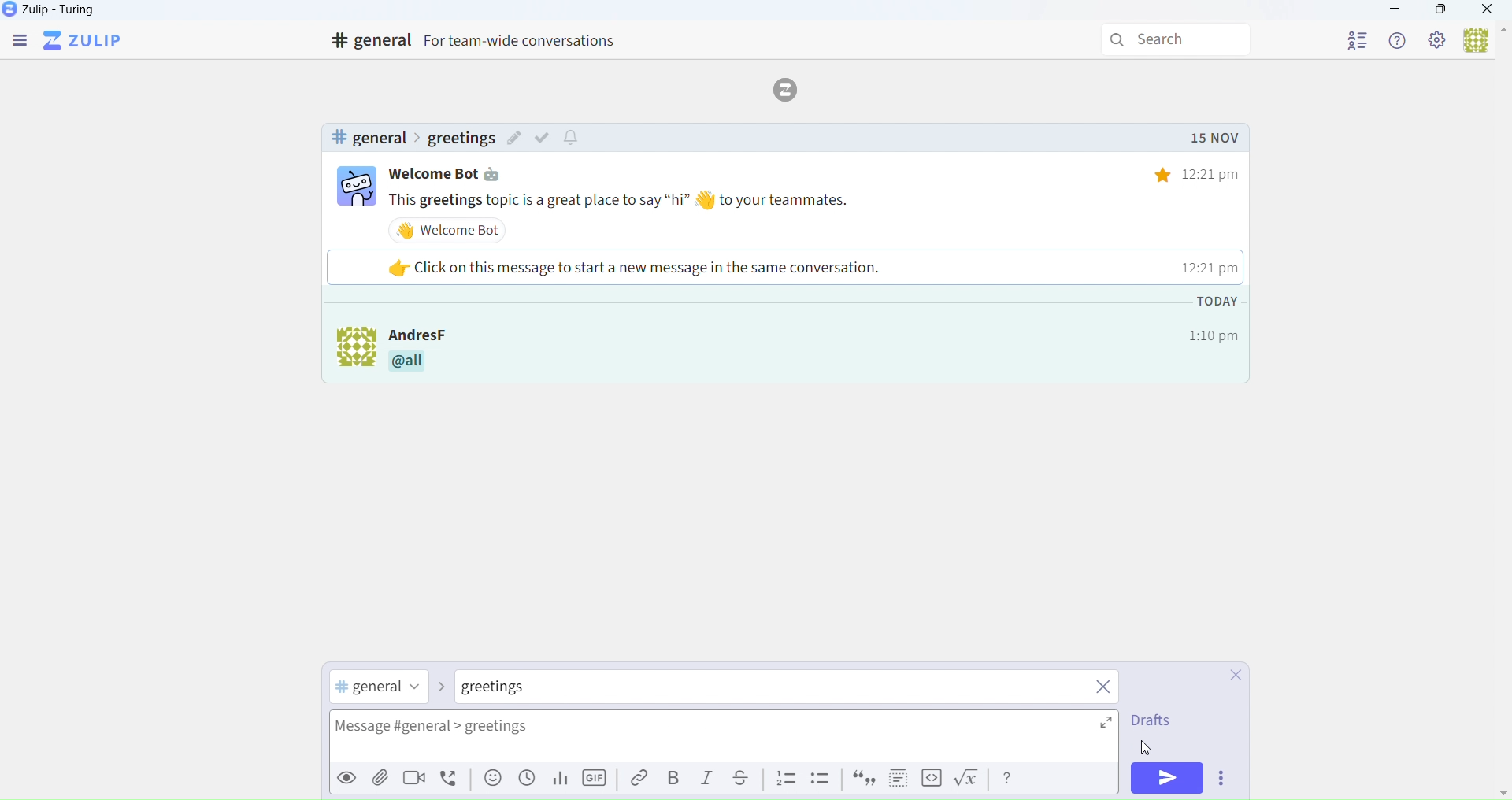 The image size is (1512, 800). What do you see at coordinates (1438, 41) in the screenshot?
I see `Settings` at bounding box center [1438, 41].